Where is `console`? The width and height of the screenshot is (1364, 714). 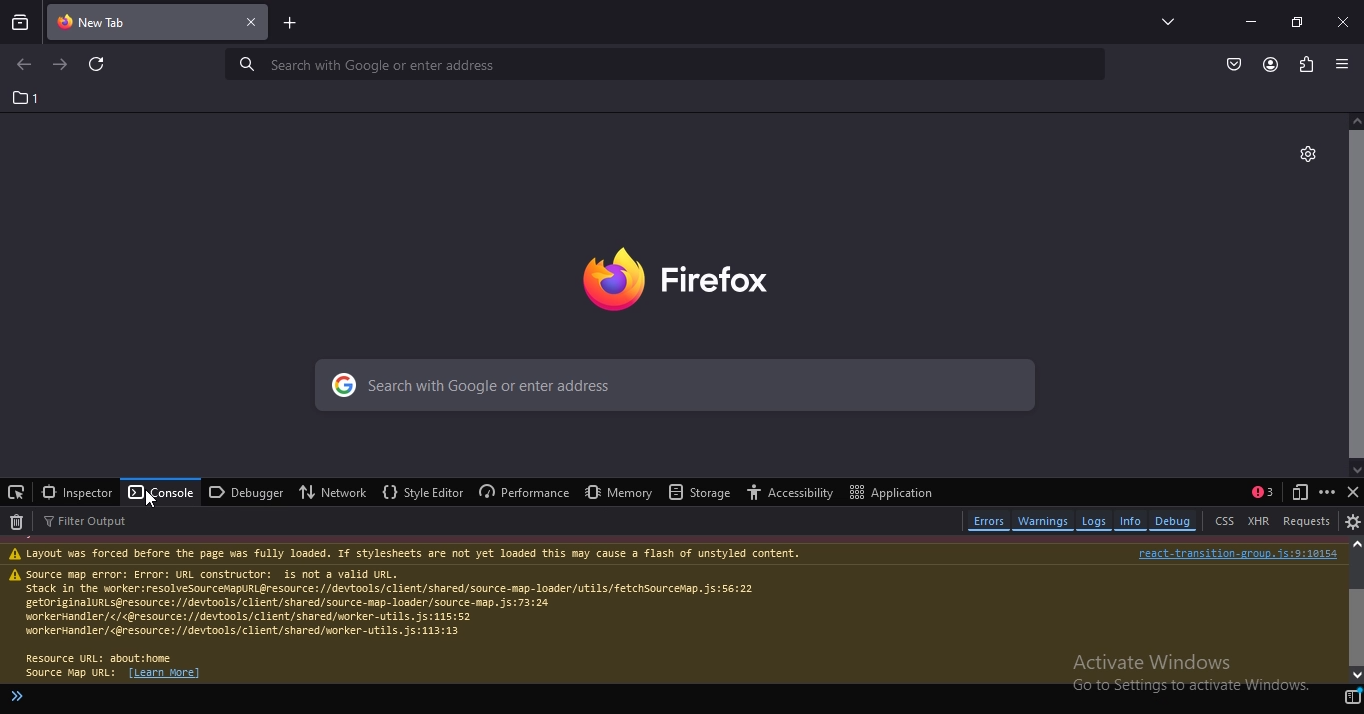 console is located at coordinates (160, 492).